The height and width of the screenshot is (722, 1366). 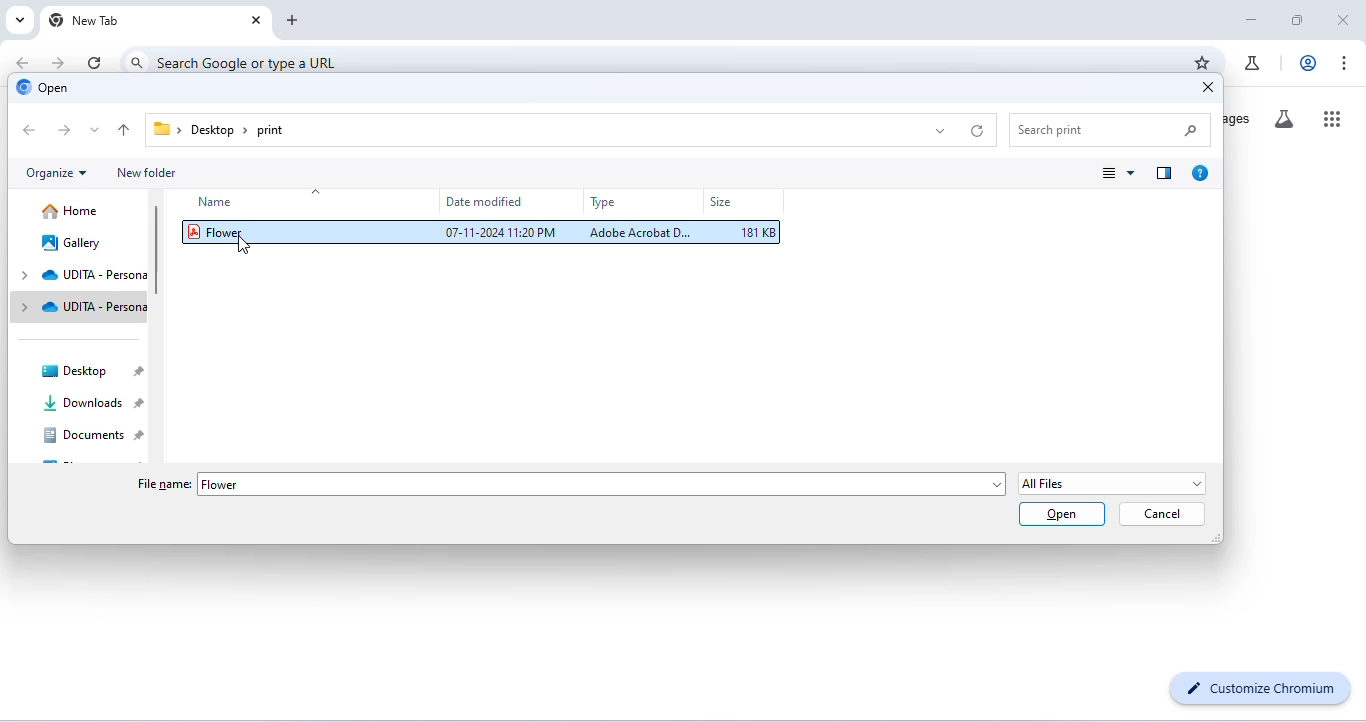 What do you see at coordinates (1113, 128) in the screenshot?
I see `search print` at bounding box center [1113, 128].